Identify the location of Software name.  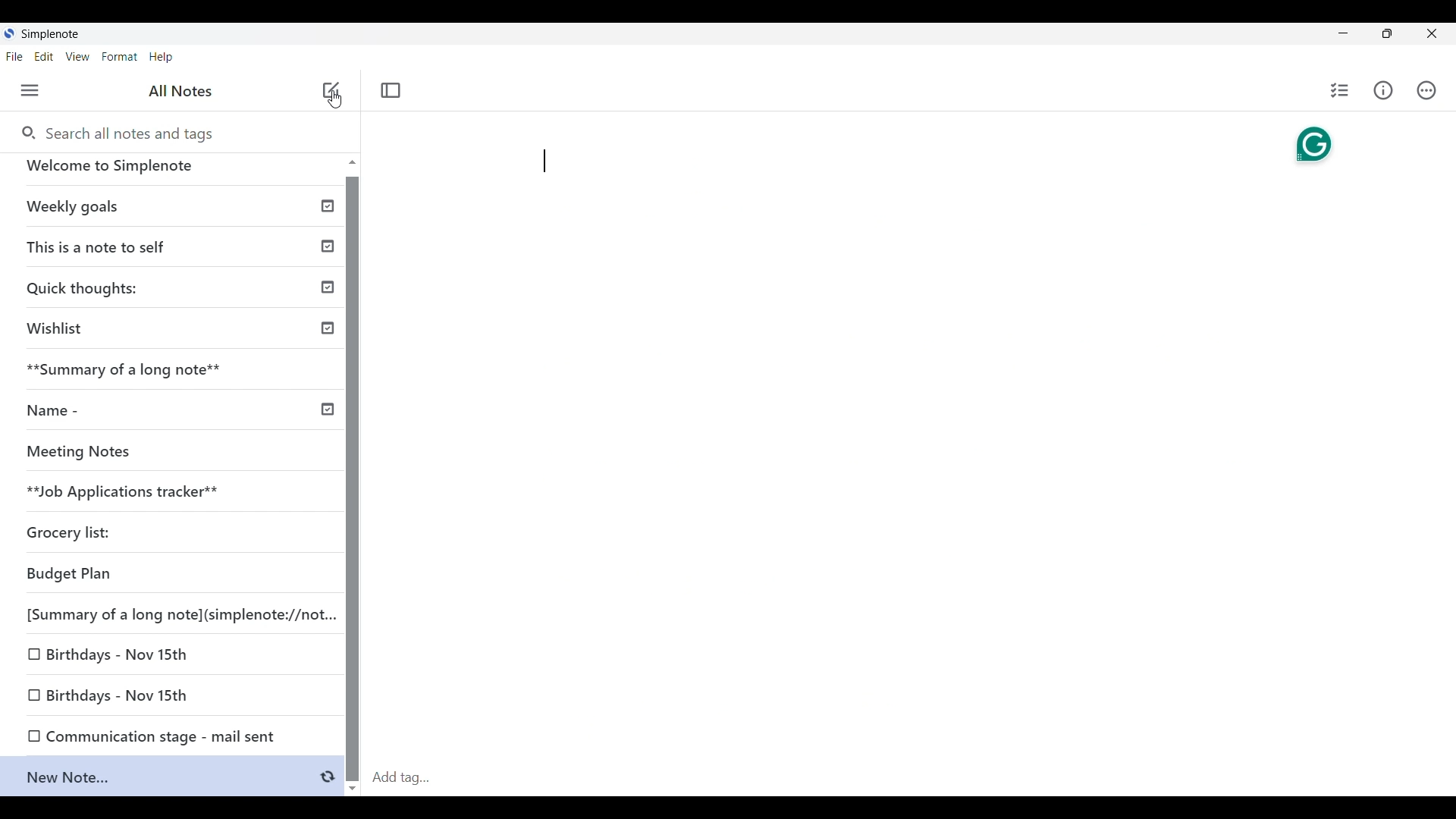
(50, 34).